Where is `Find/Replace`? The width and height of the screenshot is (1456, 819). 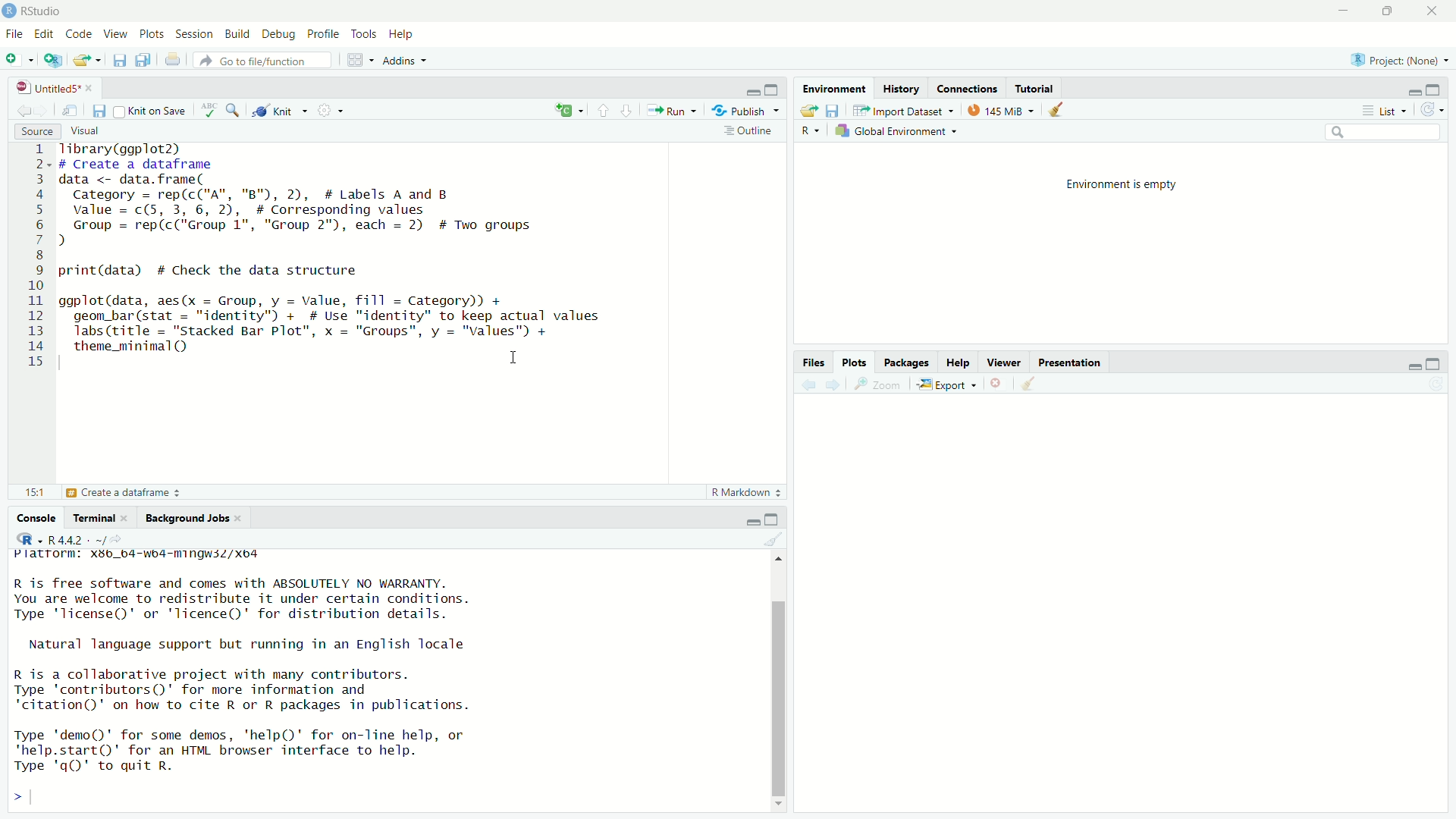
Find/Replace is located at coordinates (233, 108).